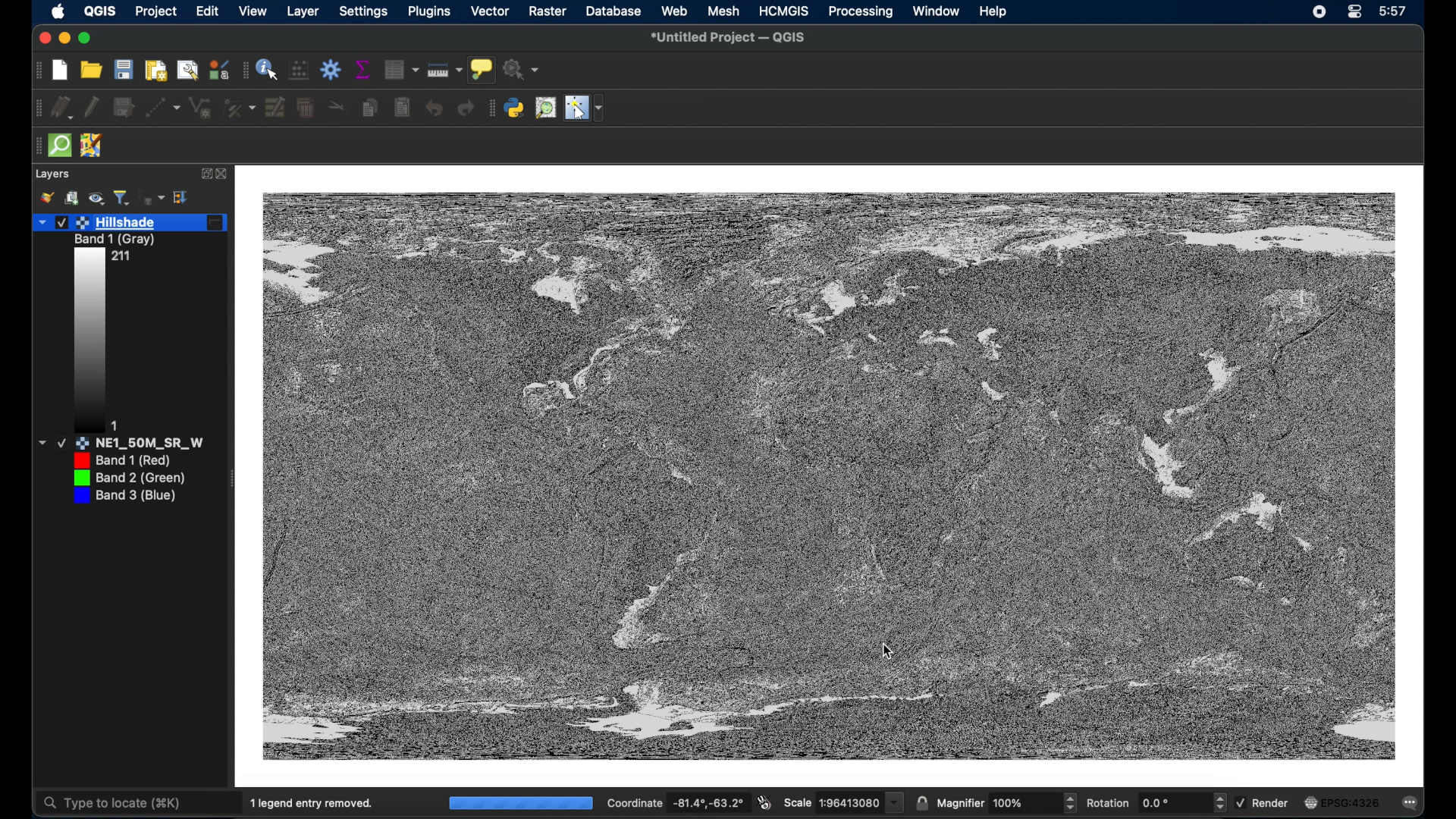  Describe the element at coordinates (363, 11) in the screenshot. I see `settings` at that location.